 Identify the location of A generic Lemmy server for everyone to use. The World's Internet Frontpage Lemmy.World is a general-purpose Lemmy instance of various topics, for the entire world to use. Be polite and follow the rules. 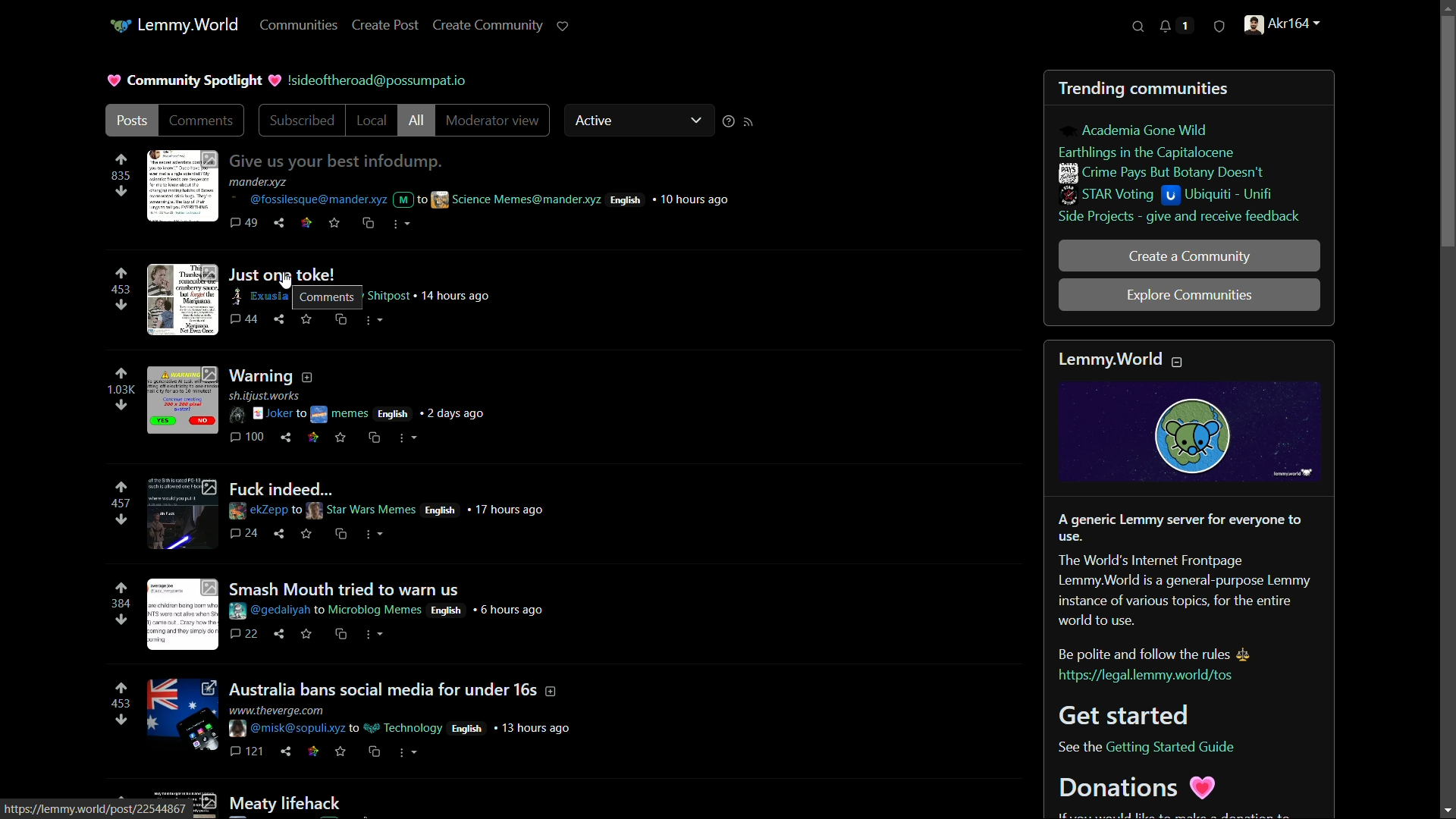
(1186, 586).